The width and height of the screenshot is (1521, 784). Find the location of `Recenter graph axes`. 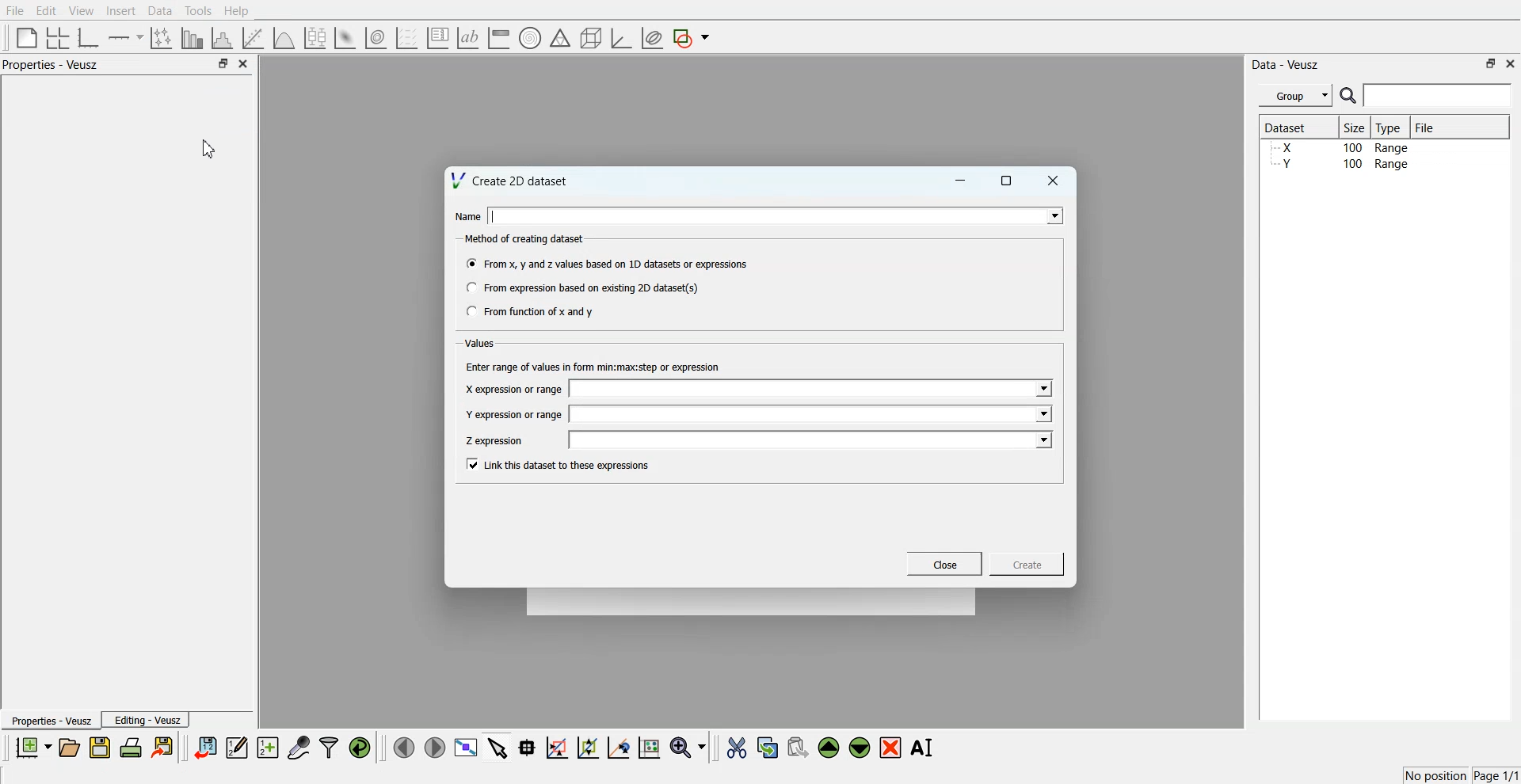

Recenter graph axes is located at coordinates (619, 747).